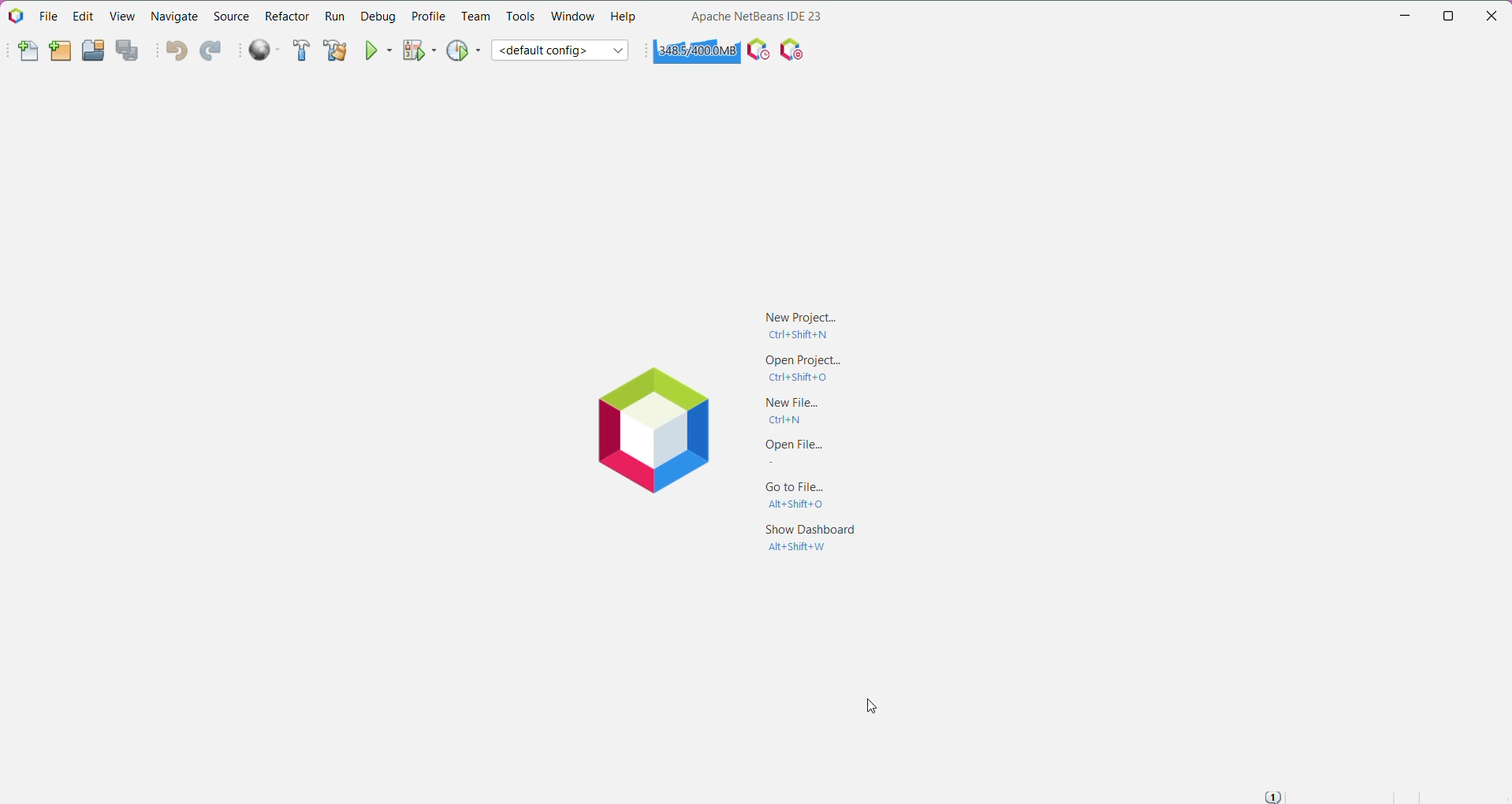 This screenshot has width=1512, height=804. Describe the element at coordinates (805, 368) in the screenshot. I see `Open project` at that location.